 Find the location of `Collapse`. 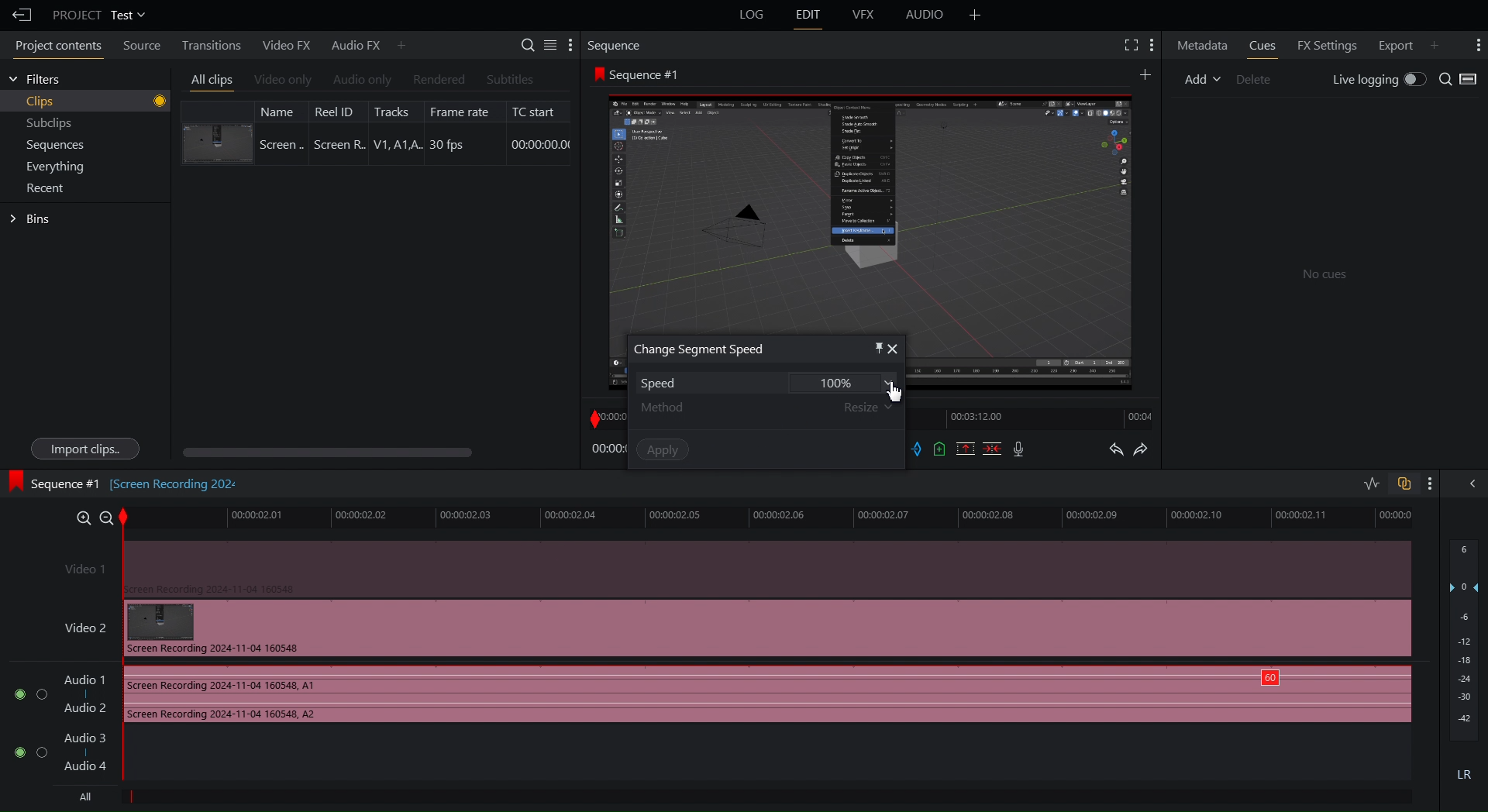

Collapse is located at coordinates (1469, 483).